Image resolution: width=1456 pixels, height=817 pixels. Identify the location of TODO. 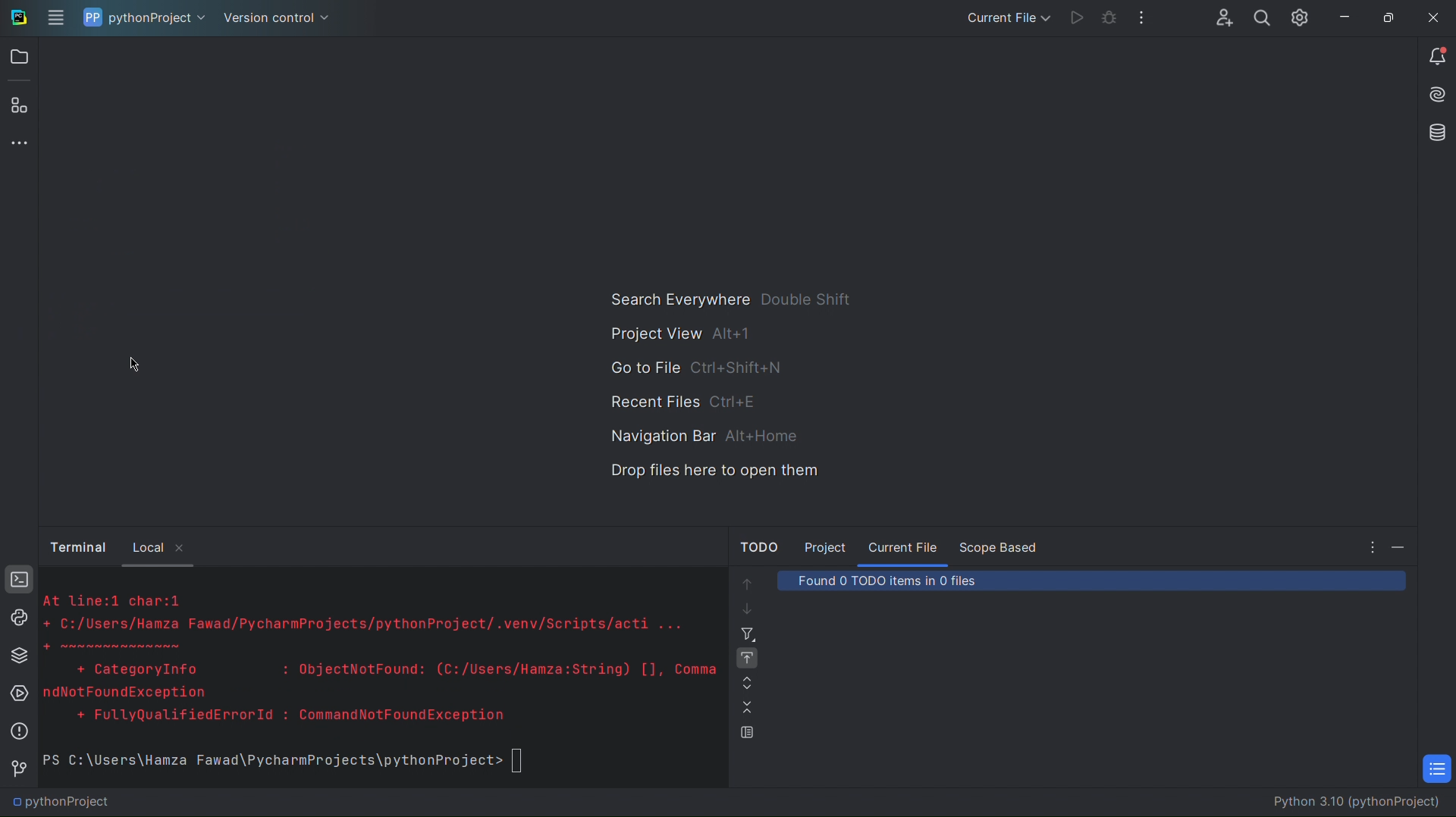
(755, 543).